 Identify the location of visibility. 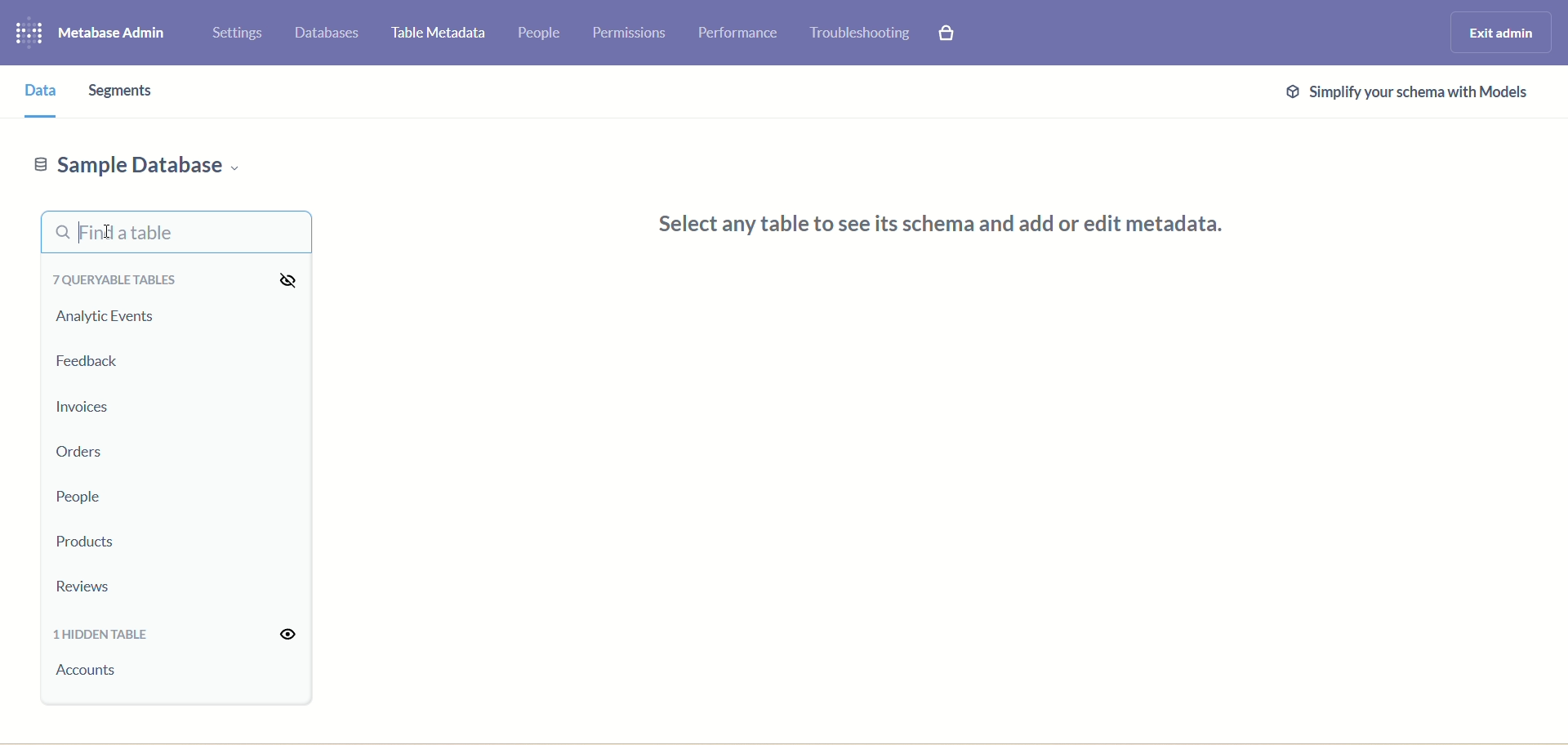
(283, 280).